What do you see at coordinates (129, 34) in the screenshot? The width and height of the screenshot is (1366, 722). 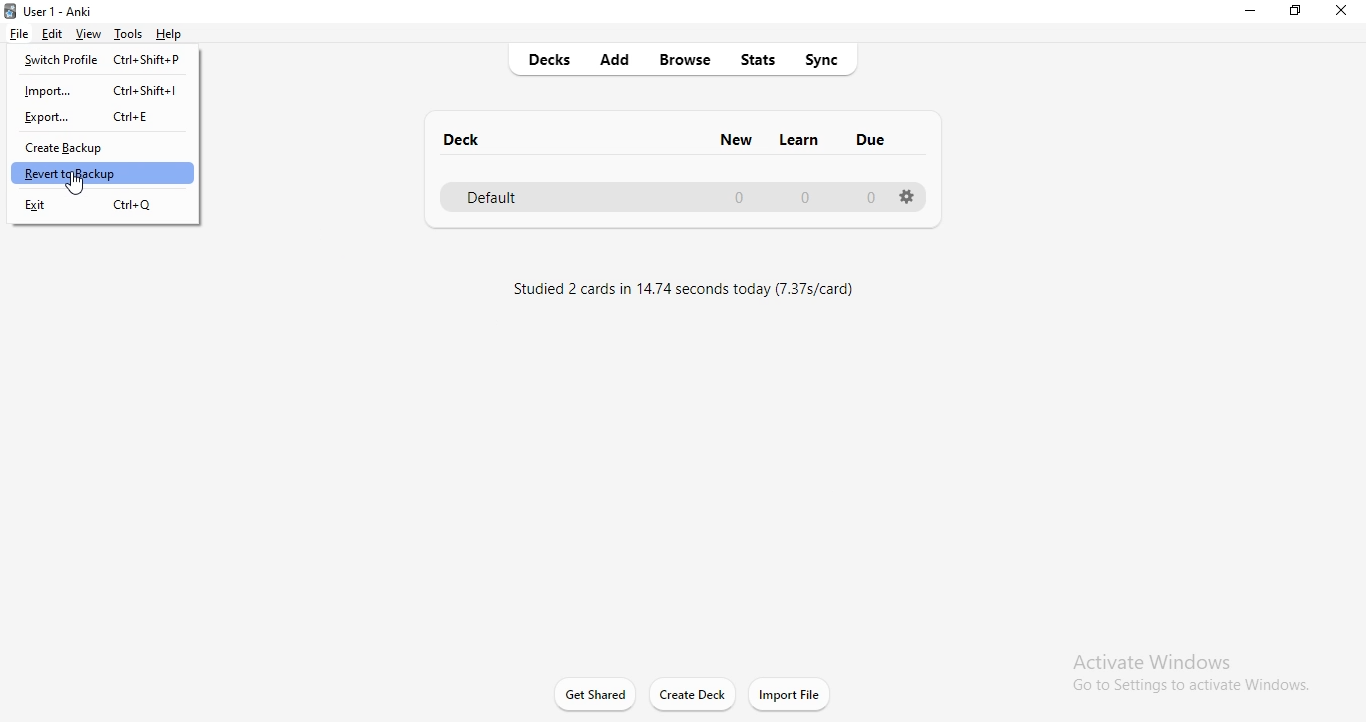 I see `tools` at bounding box center [129, 34].